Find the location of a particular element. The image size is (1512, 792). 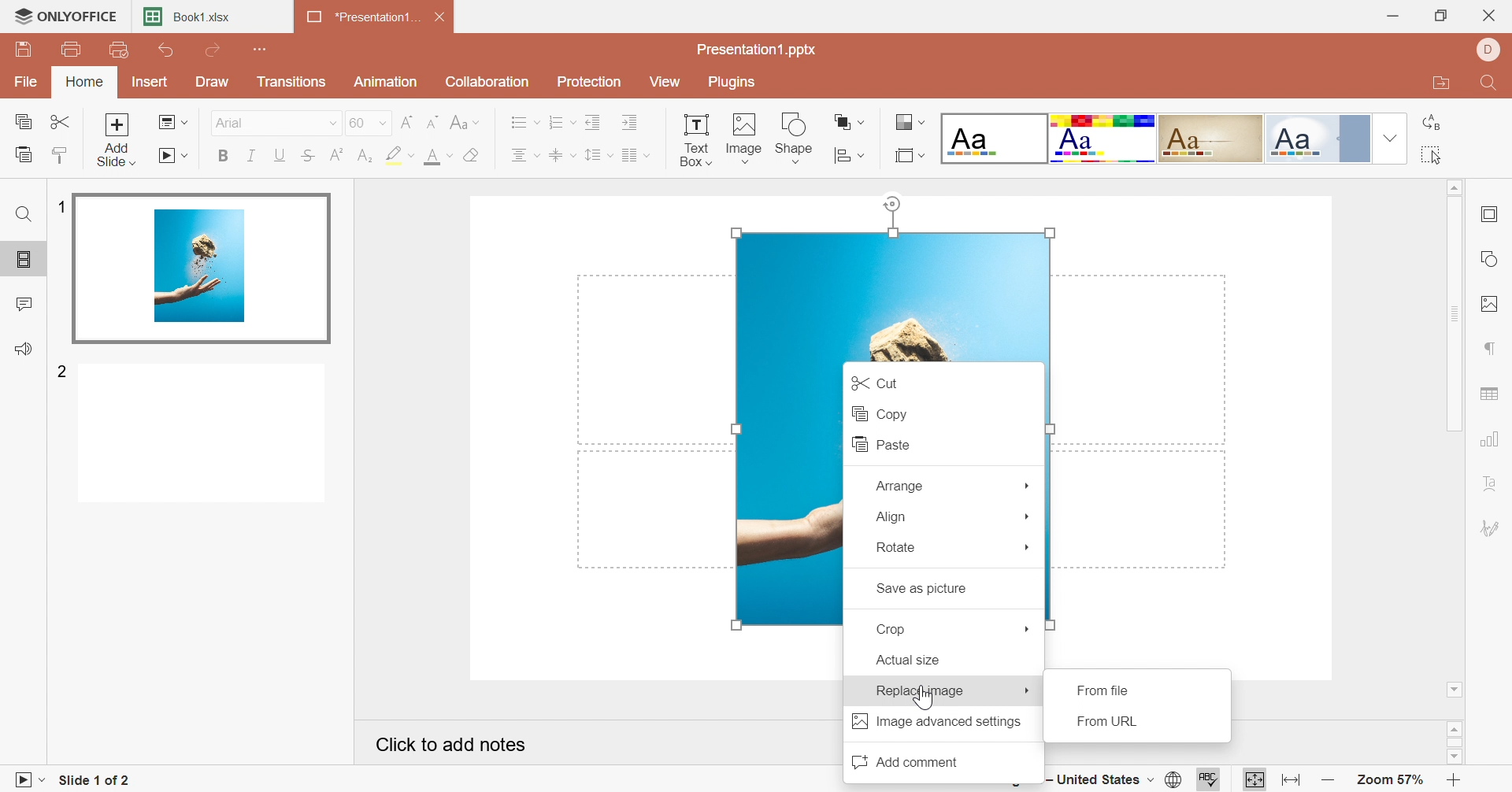

Find is located at coordinates (23, 217).